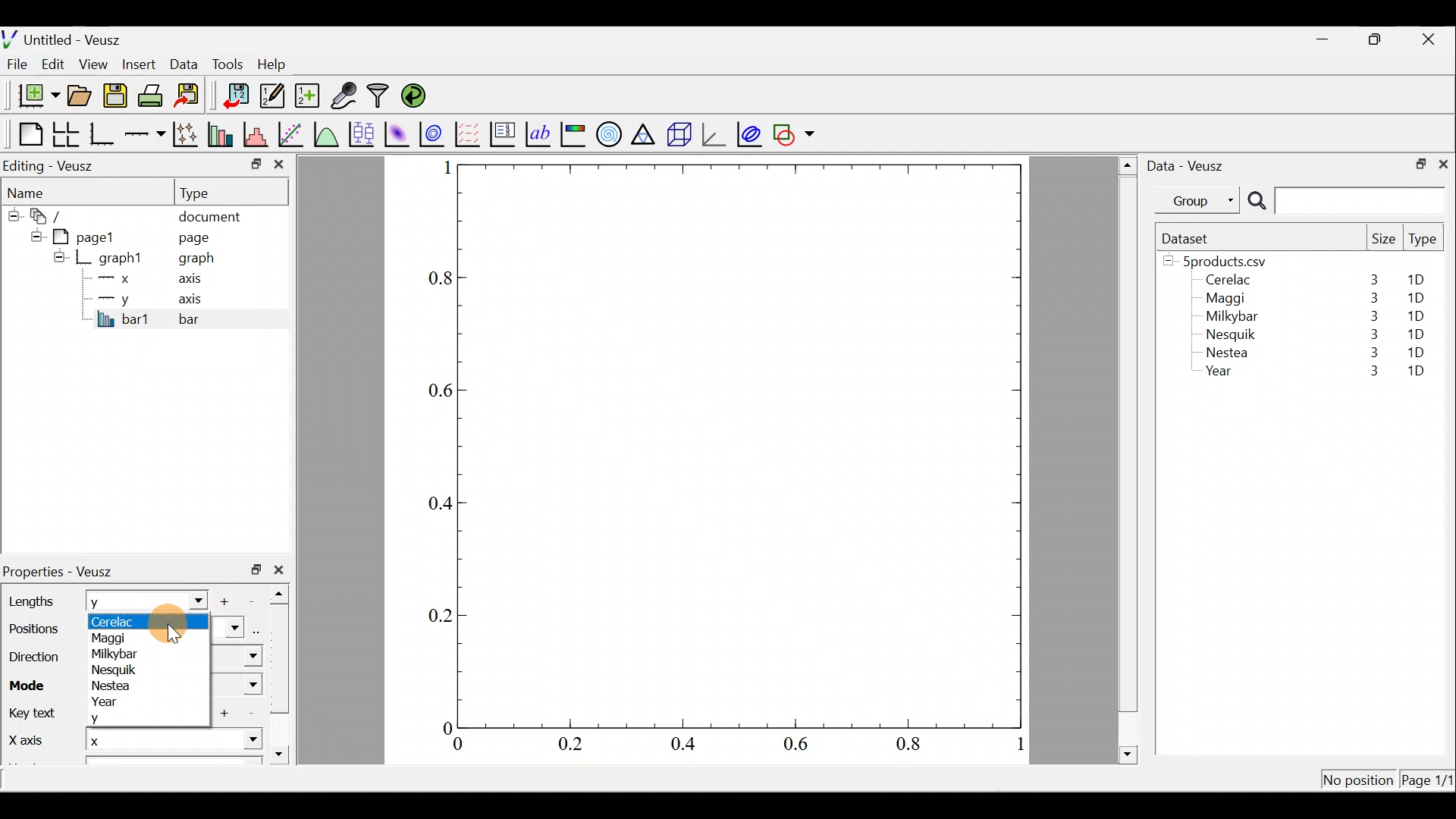  Describe the element at coordinates (1421, 280) in the screenshot. I see `1D` at that location.